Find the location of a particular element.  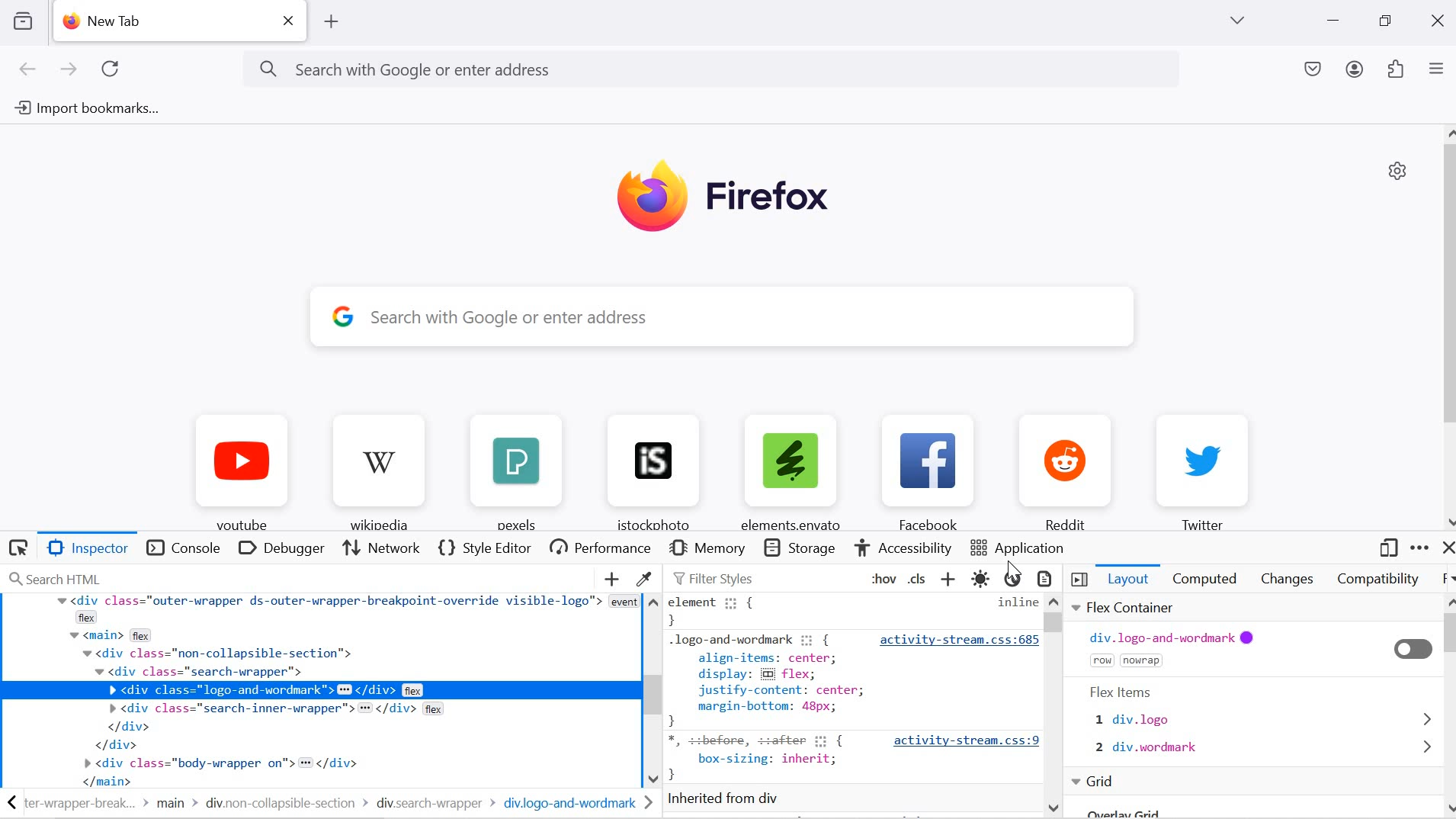

 is located at coordinates (90, 548).